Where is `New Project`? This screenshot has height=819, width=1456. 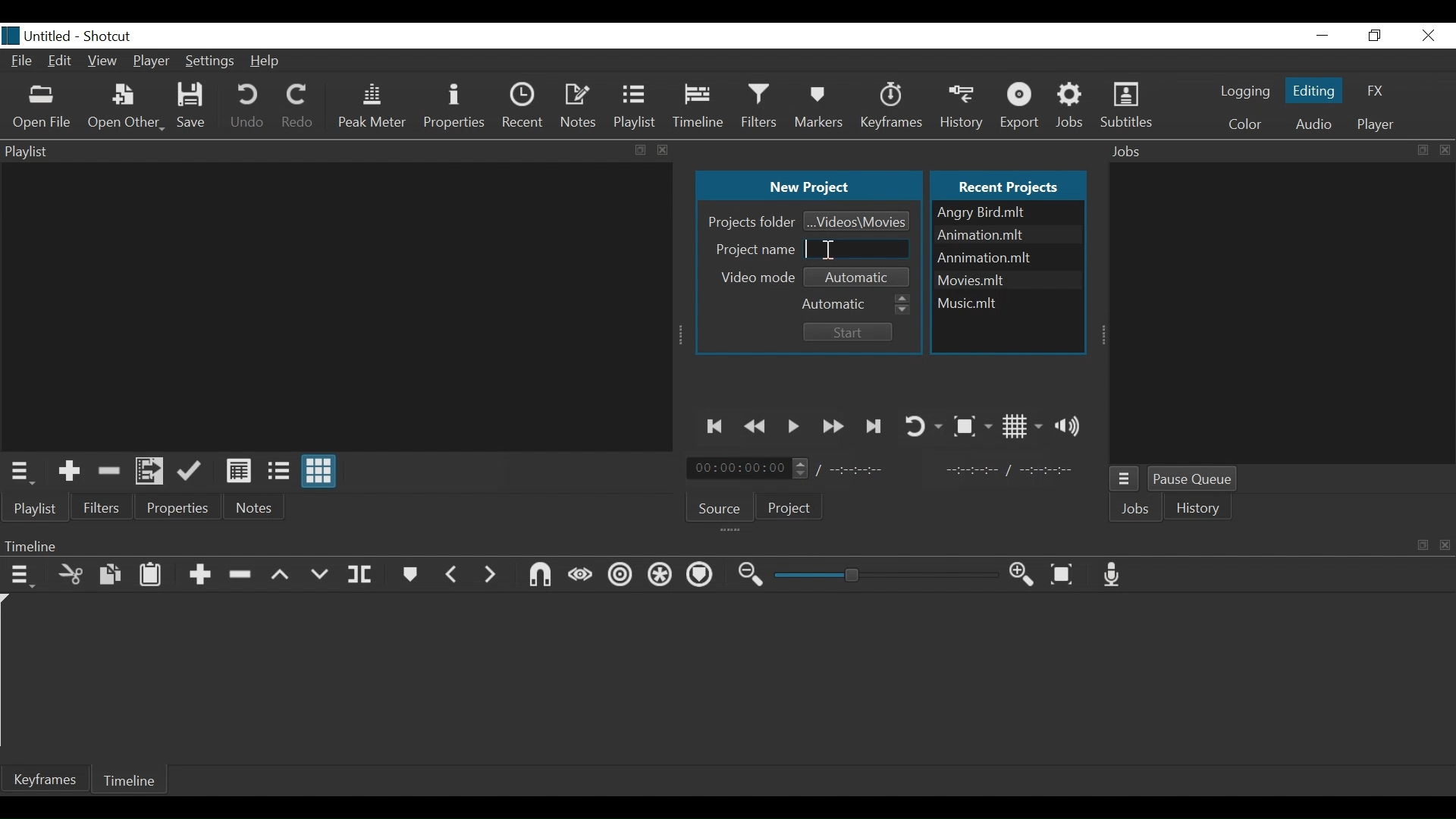
New Project is located at coordinates (808, 187).